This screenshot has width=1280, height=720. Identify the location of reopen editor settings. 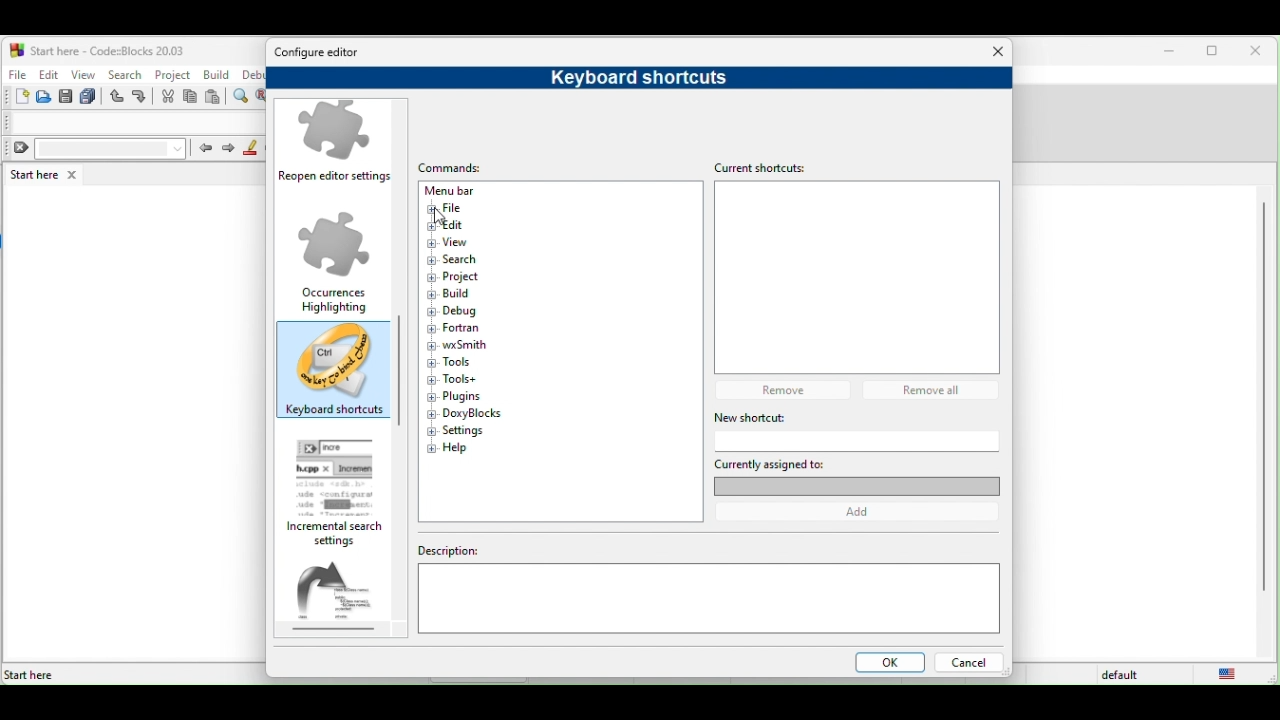
(338, 145).